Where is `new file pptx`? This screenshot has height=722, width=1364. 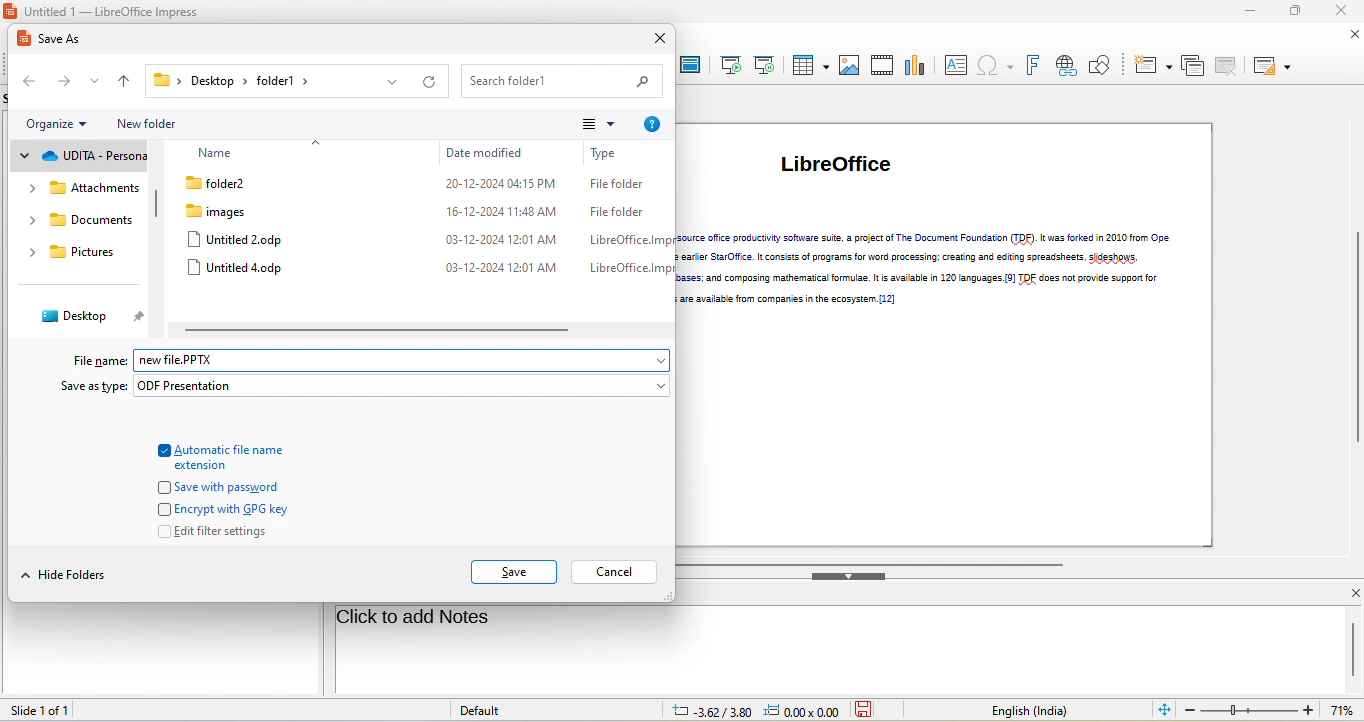 new file pptx is located at coordinates (405, 360).